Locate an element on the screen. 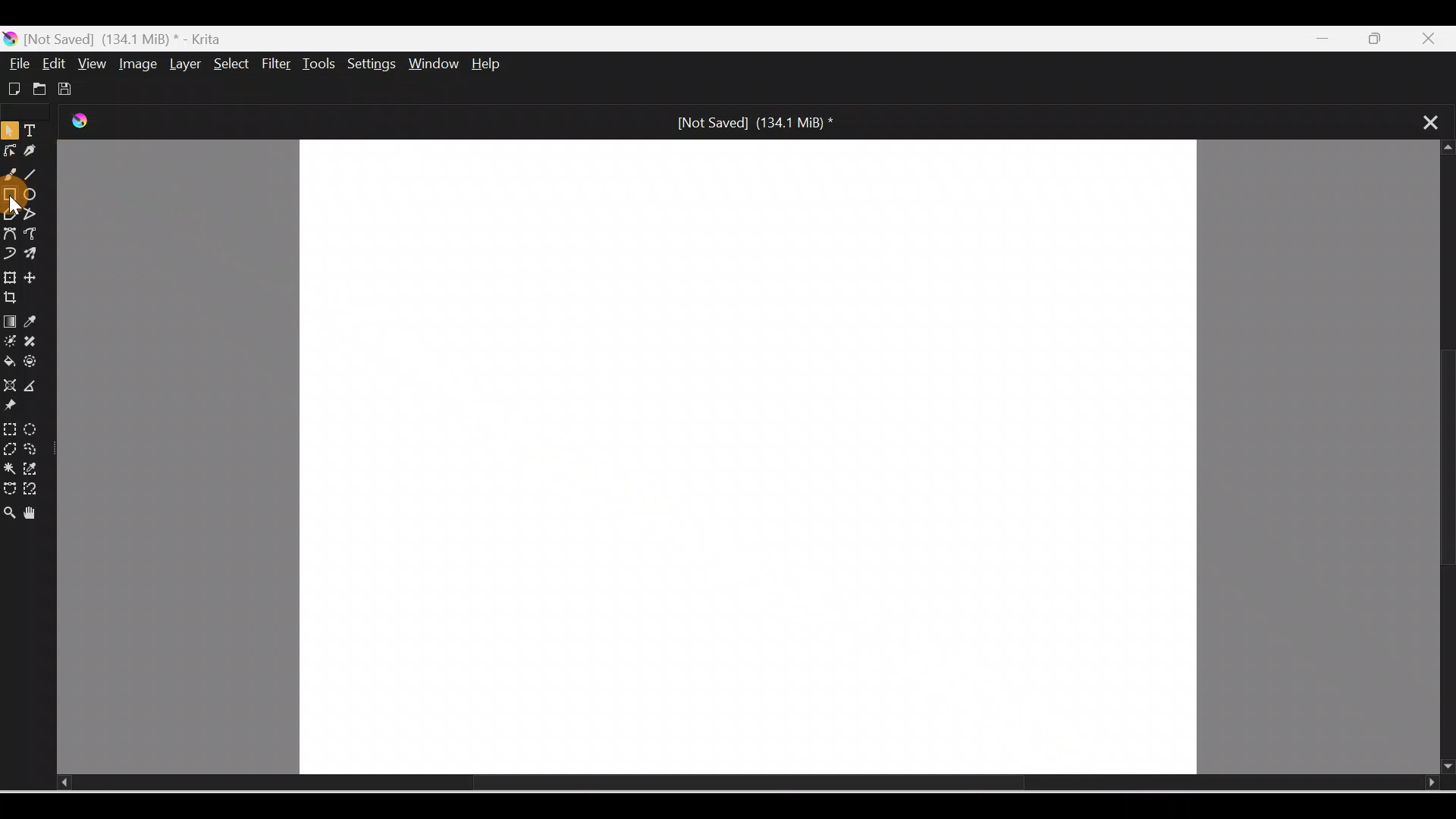 This screenshot has height=819, width=1456. Polygon is located at coordinates (9, 214).